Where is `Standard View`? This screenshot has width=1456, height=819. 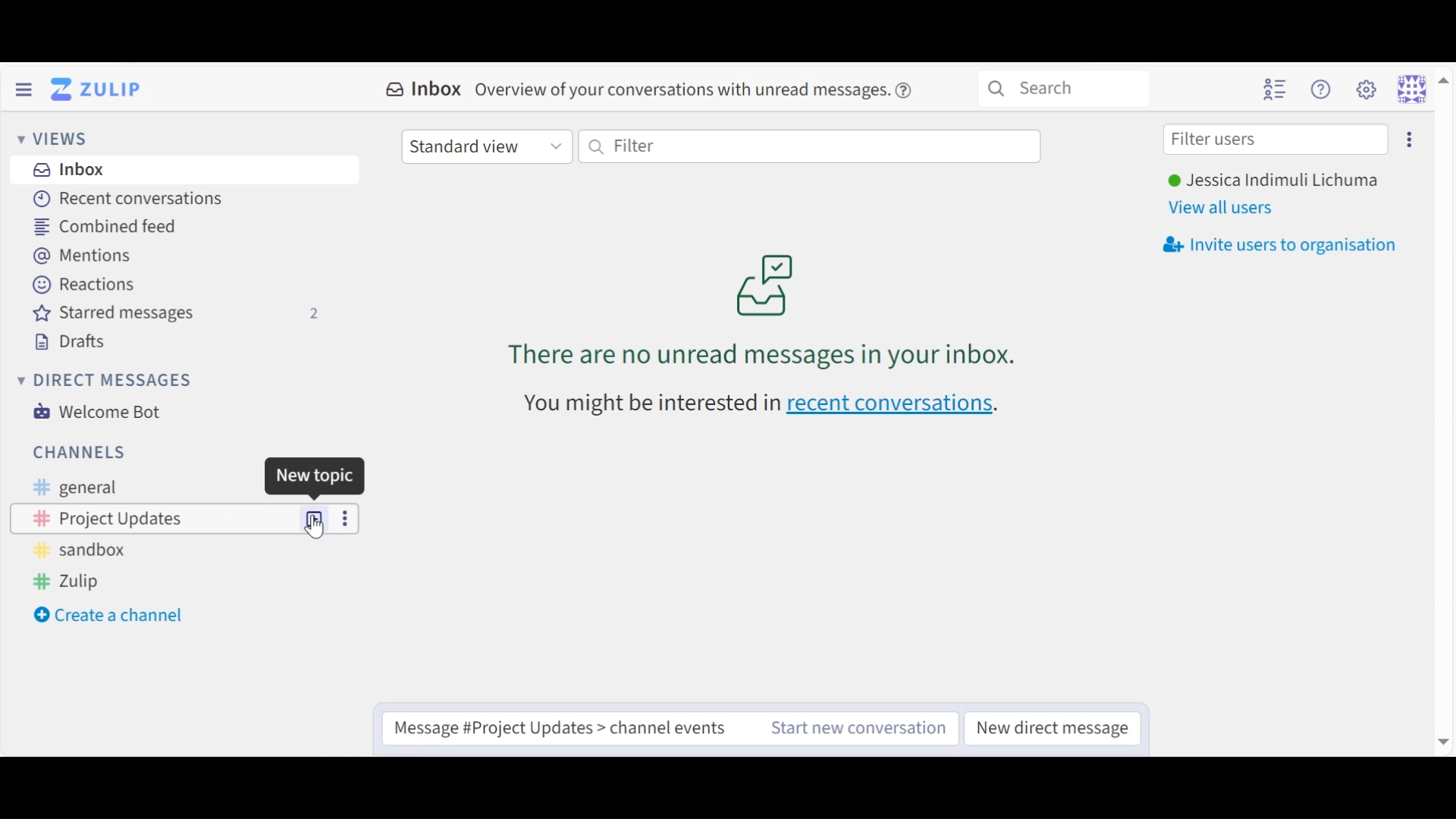 Standard View is located at coordinates (485, 148).